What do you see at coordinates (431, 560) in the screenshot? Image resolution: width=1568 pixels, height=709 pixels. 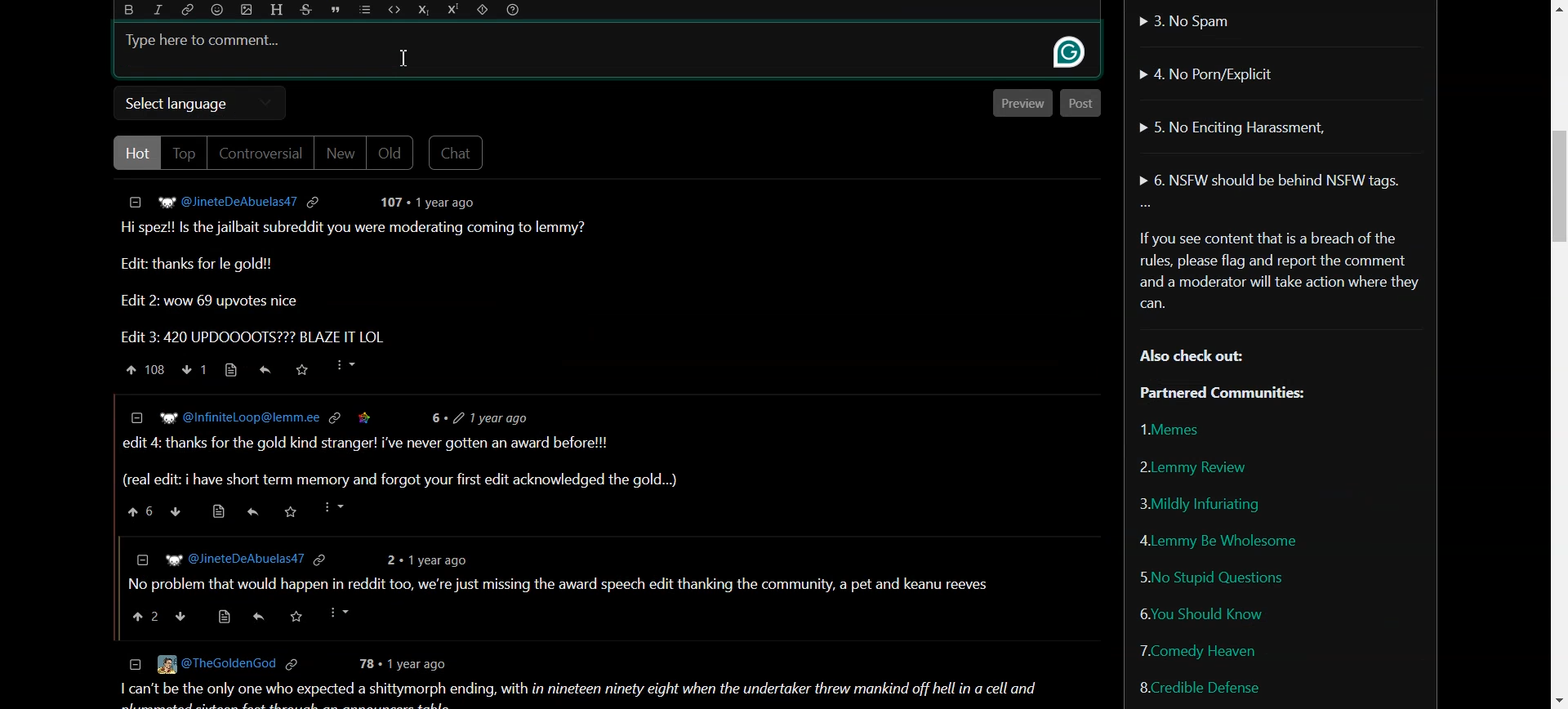 I see `2 + 1year ago` at bounding box center [431, 560].